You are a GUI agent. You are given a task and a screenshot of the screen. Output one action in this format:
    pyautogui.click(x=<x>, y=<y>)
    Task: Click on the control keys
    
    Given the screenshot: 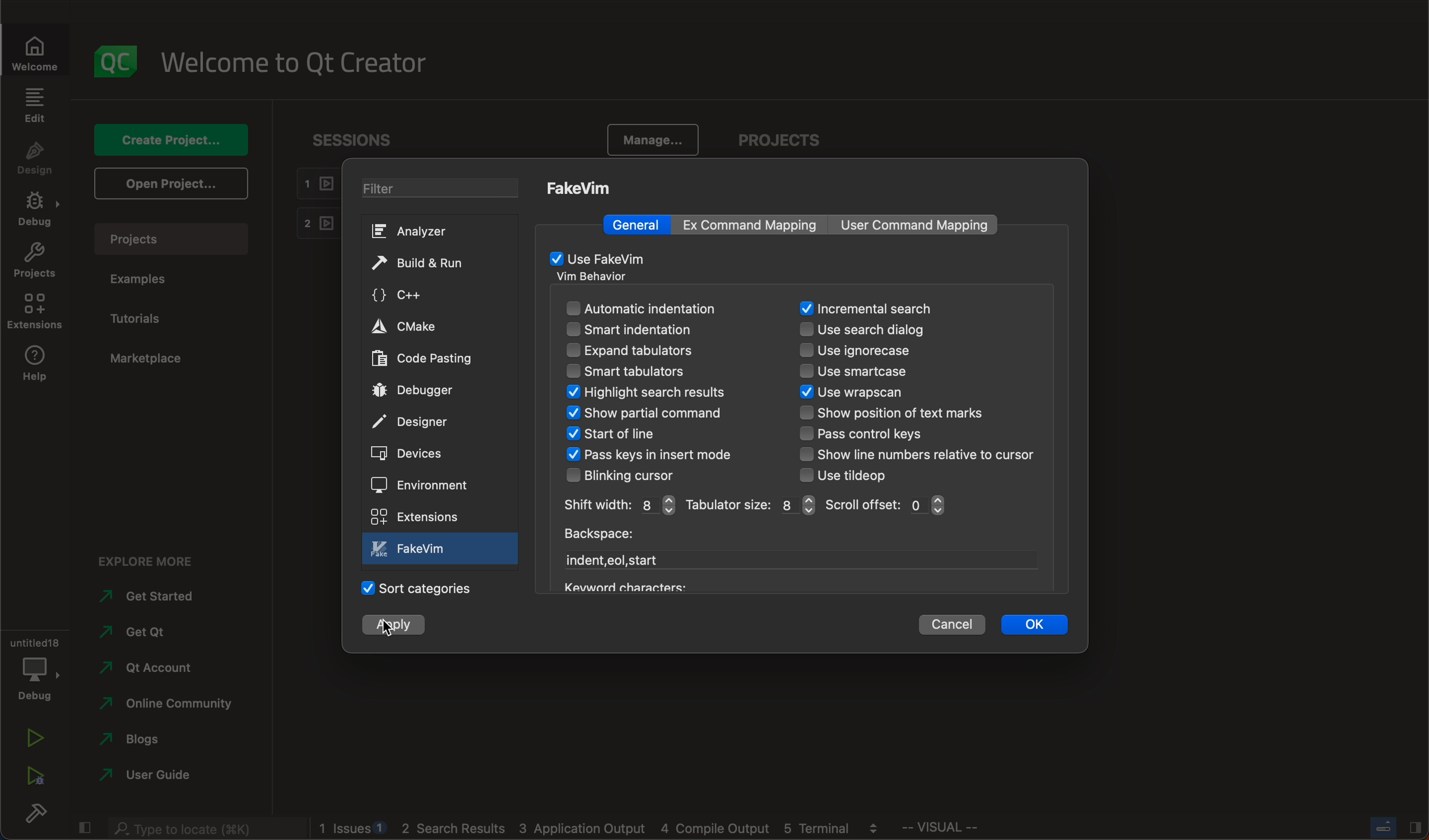 What is the action you would take?
    pyautogui.click(x=873, y=435)
    